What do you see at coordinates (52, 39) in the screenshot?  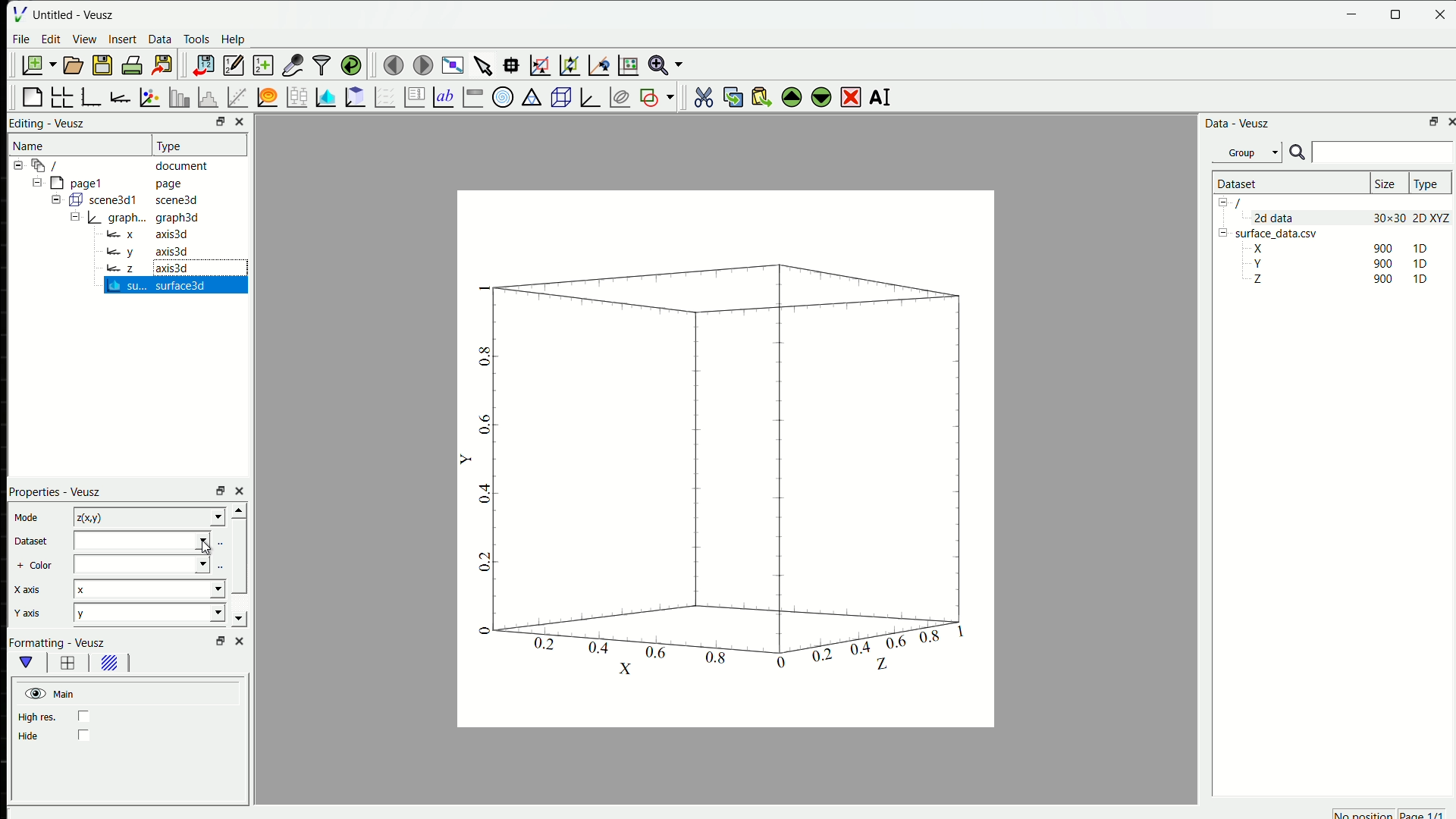 I see `Edit` at bounding box center [52, 39].